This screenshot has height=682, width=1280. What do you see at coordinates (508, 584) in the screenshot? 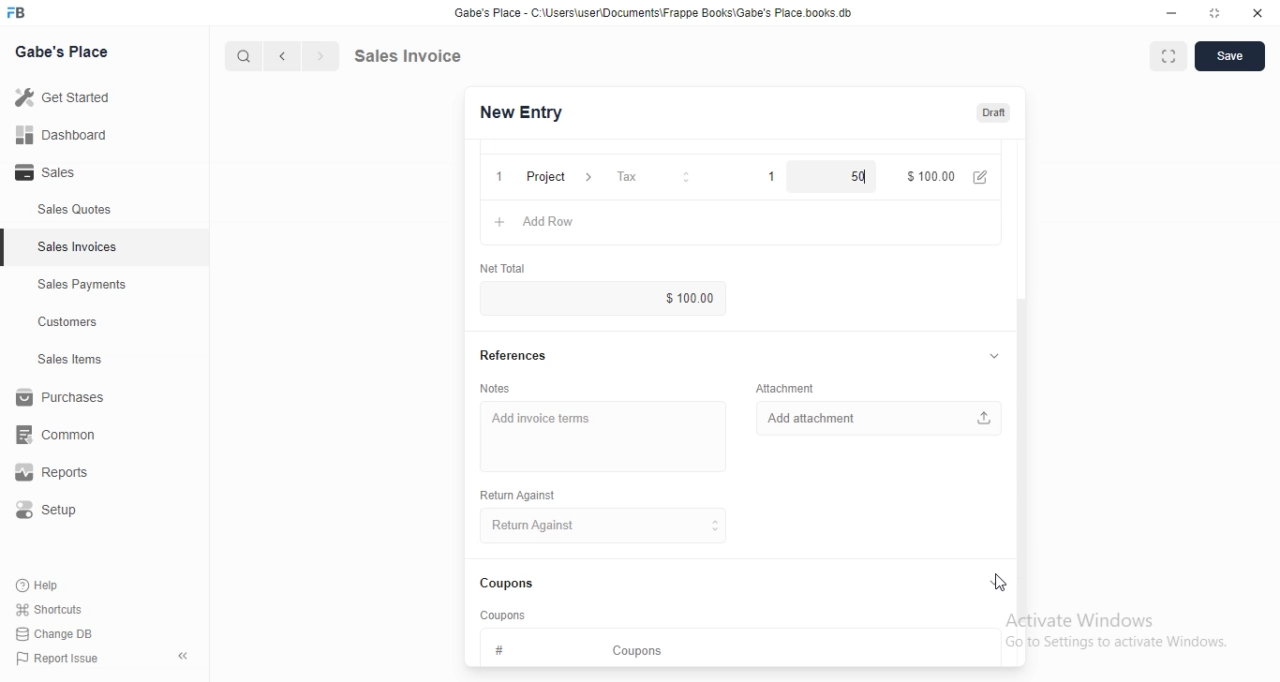
I see `Coupons.` at bounding box center [508, 584].